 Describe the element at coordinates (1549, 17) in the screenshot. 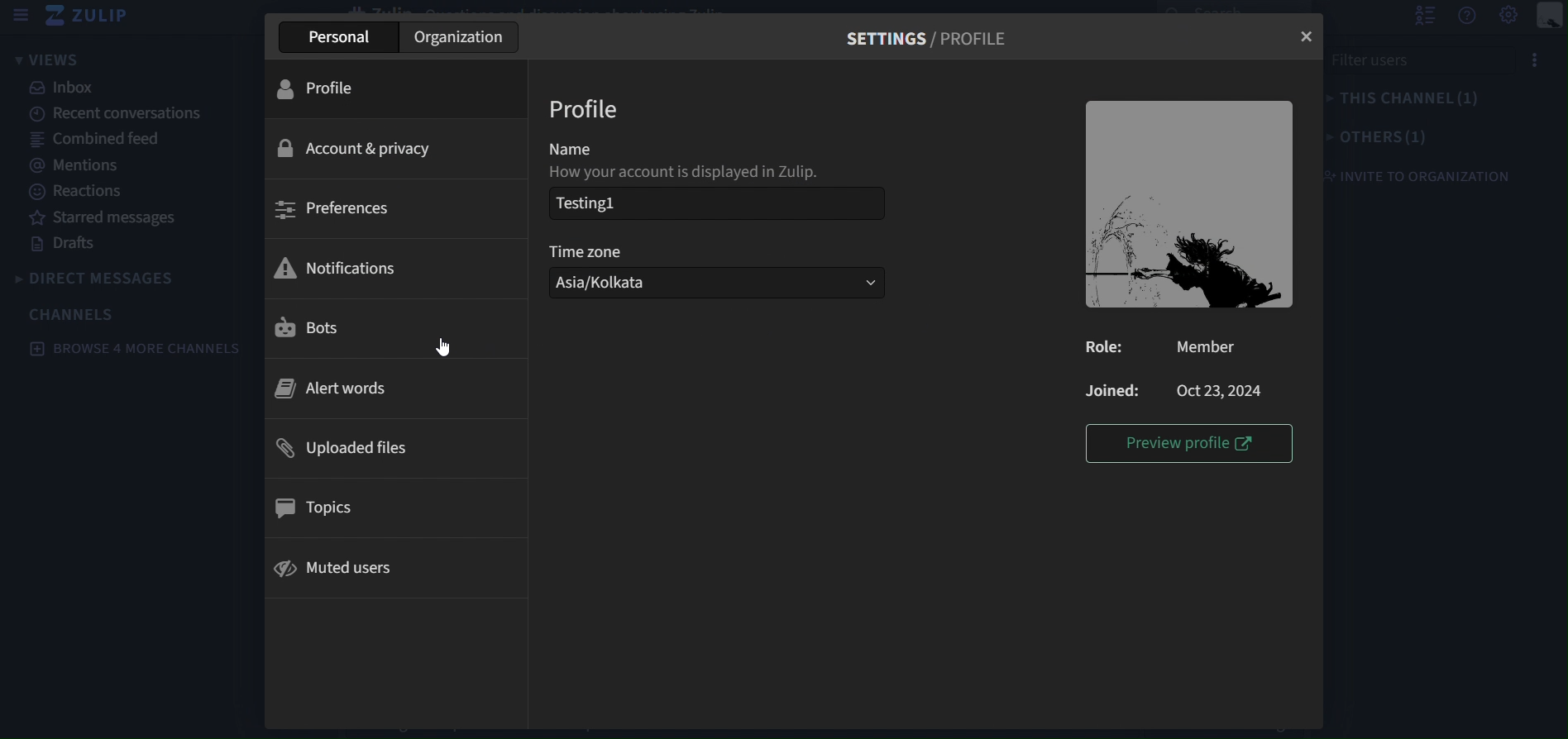

I see `main menu` at that location.